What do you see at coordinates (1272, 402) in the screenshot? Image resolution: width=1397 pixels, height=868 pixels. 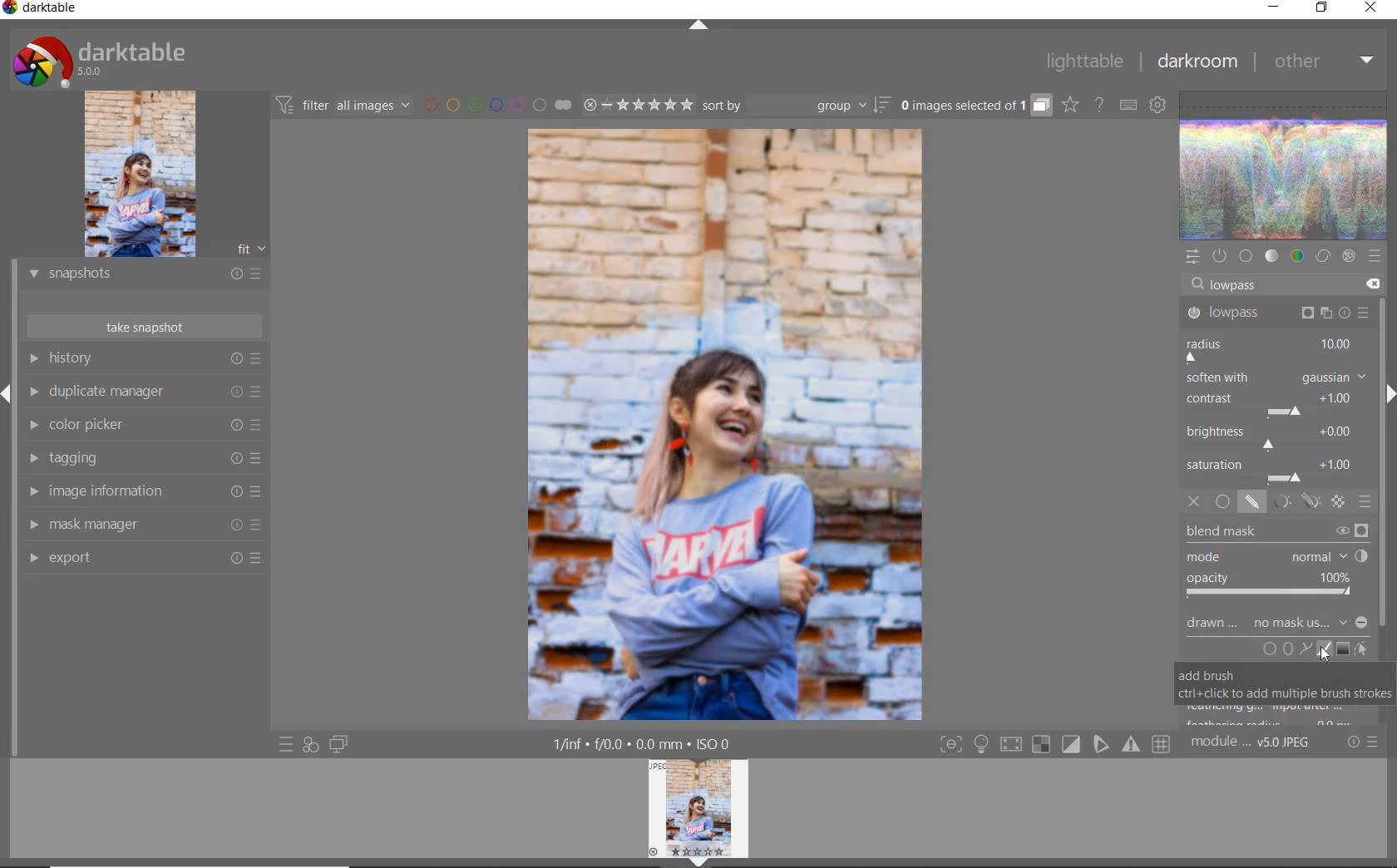 I see `contrast` at bounding box center [1272, 402].